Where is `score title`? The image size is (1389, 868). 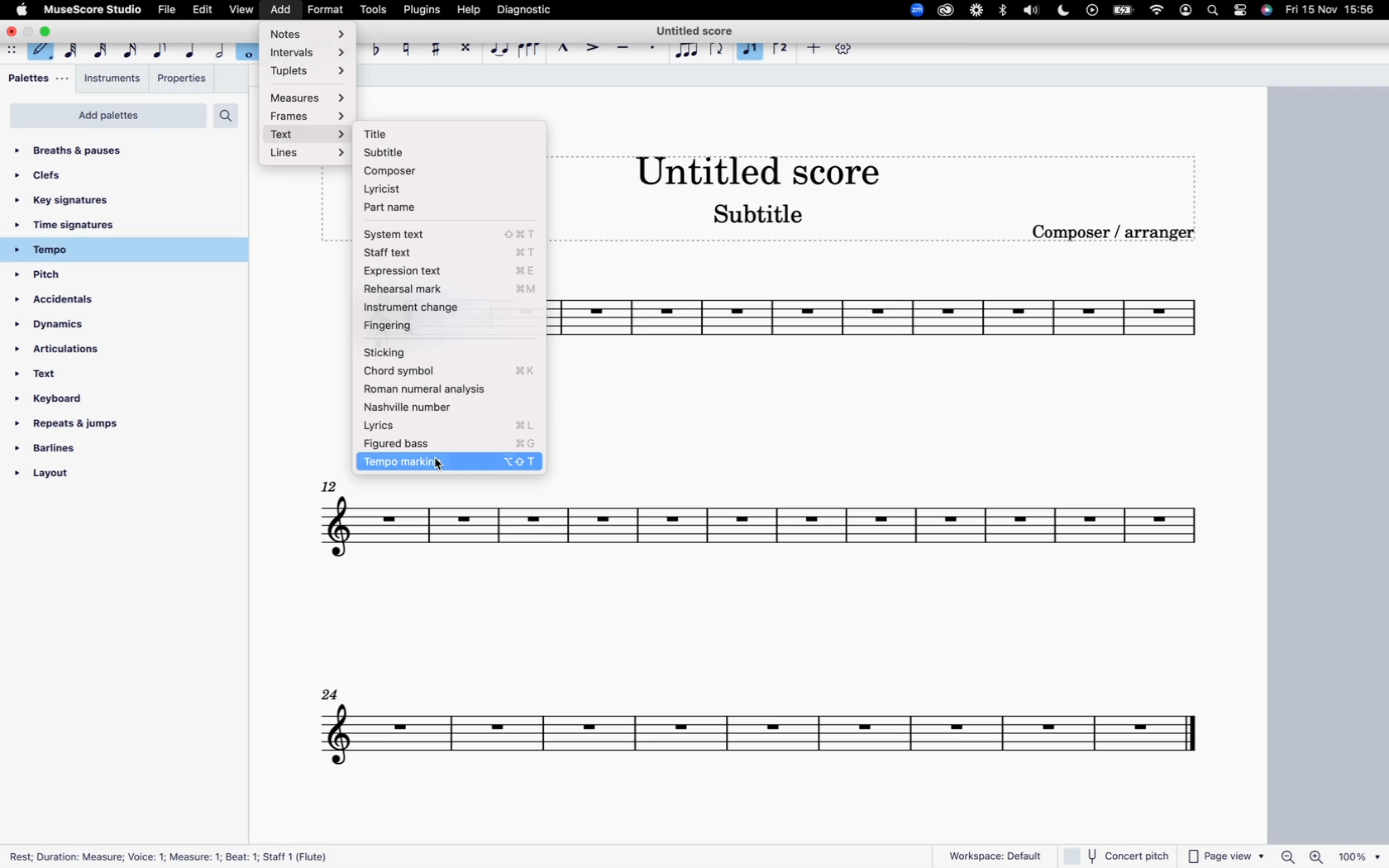 score title is located at coordinates (699, 29).